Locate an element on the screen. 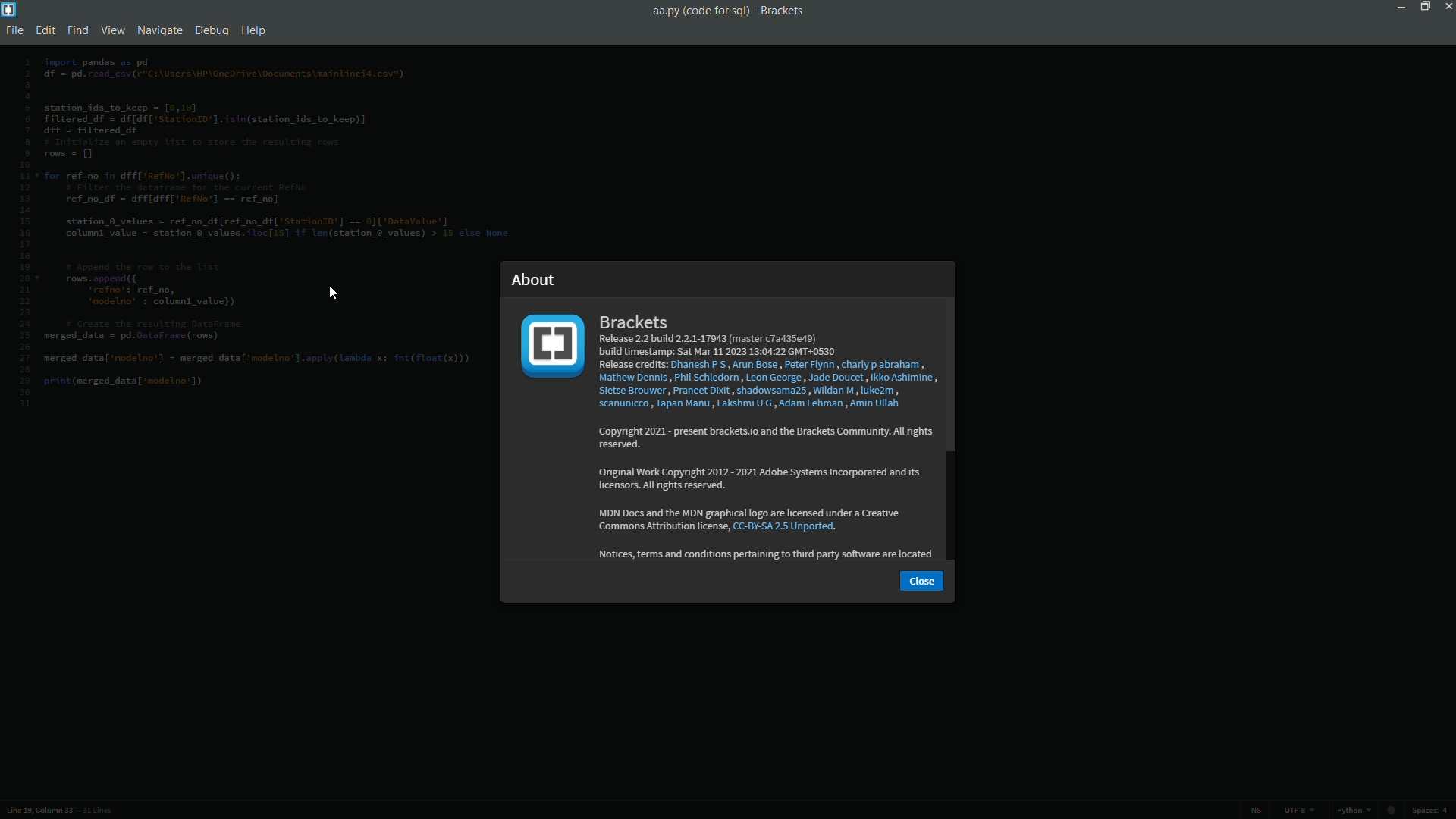 This screenshot has width=1456, height=819. minimize is located at coordinates (1400, 8).